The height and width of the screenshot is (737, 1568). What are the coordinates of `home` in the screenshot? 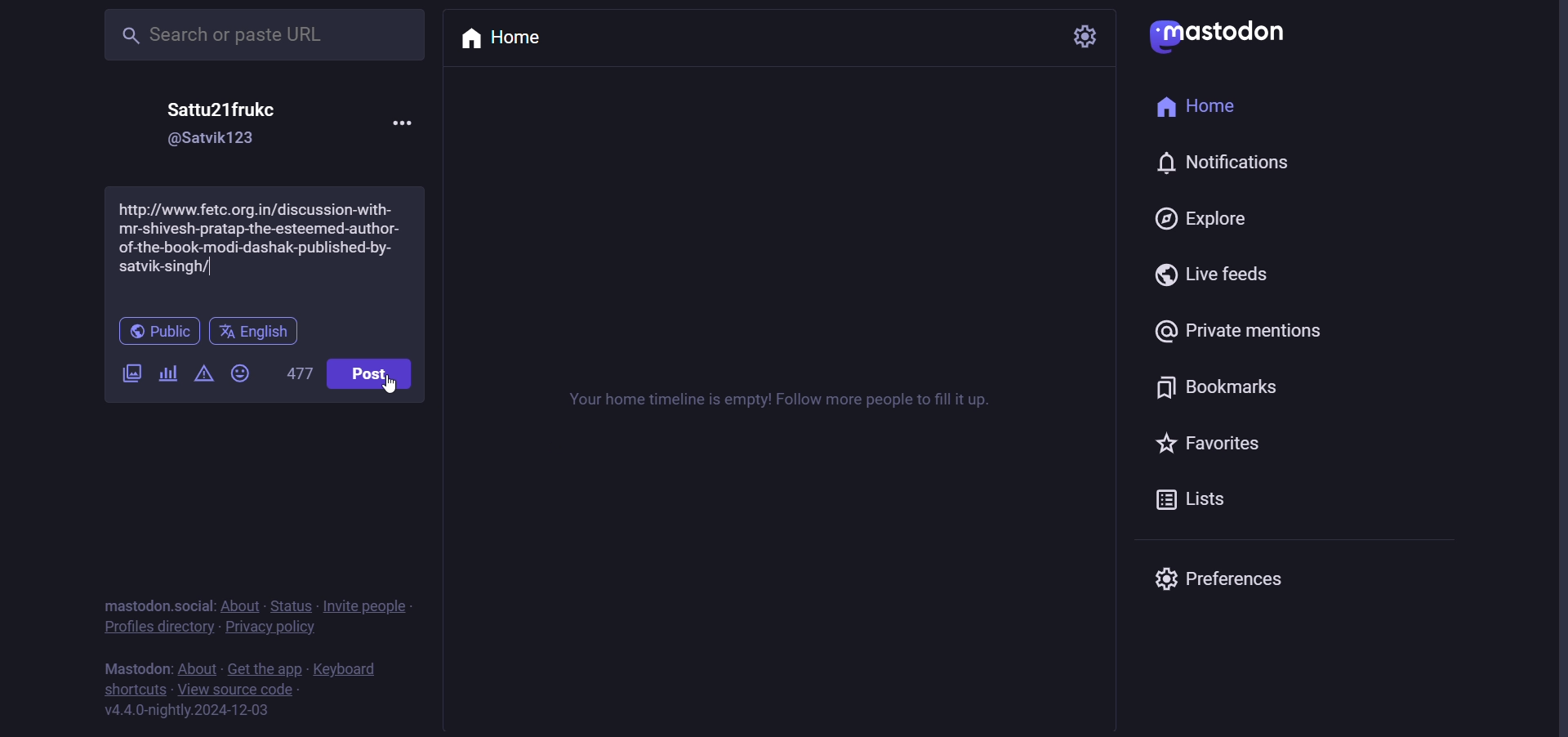 It's located at (1198, 110).